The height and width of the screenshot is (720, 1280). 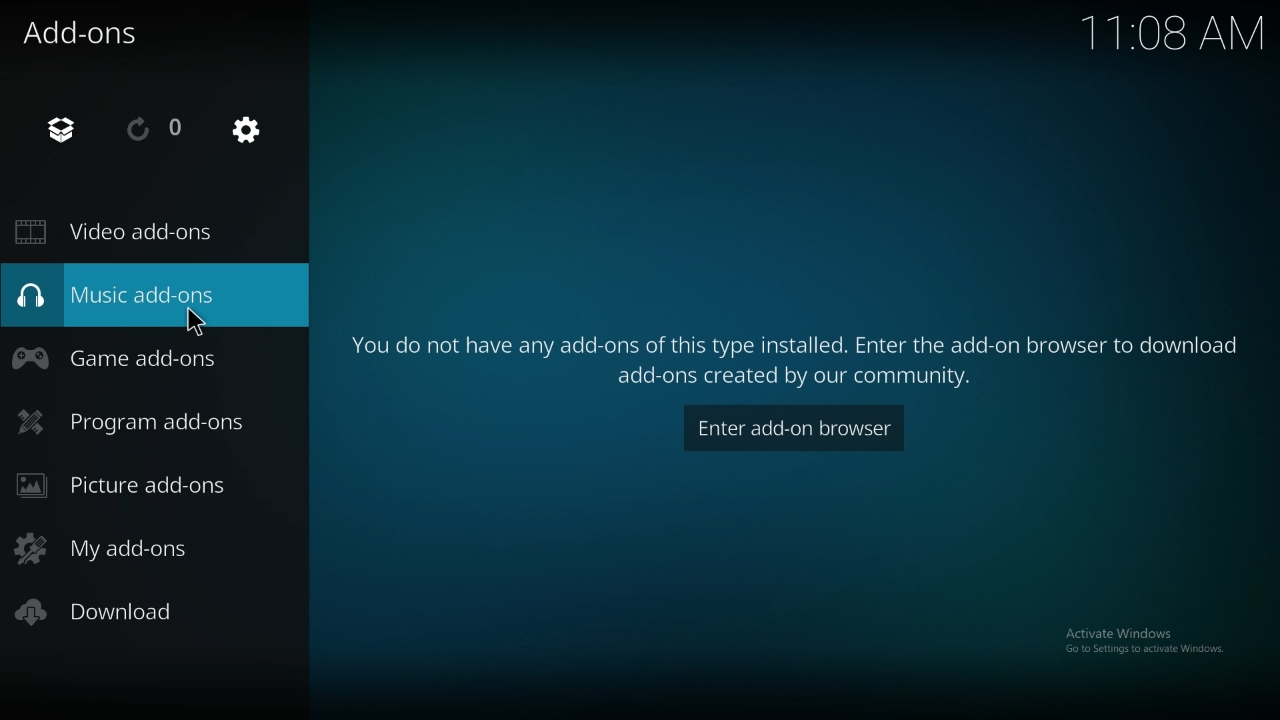 I want to click on enter add on browser, so click(x=795, y=428).